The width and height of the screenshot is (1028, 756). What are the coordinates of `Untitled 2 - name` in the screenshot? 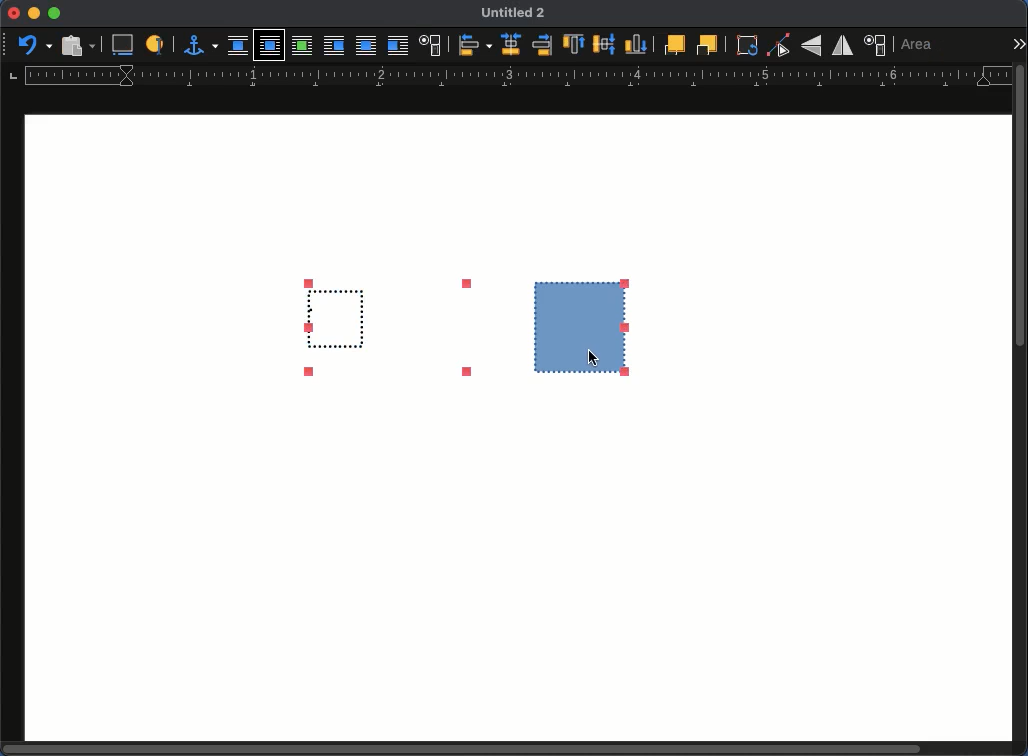 It's located at (515, 11).